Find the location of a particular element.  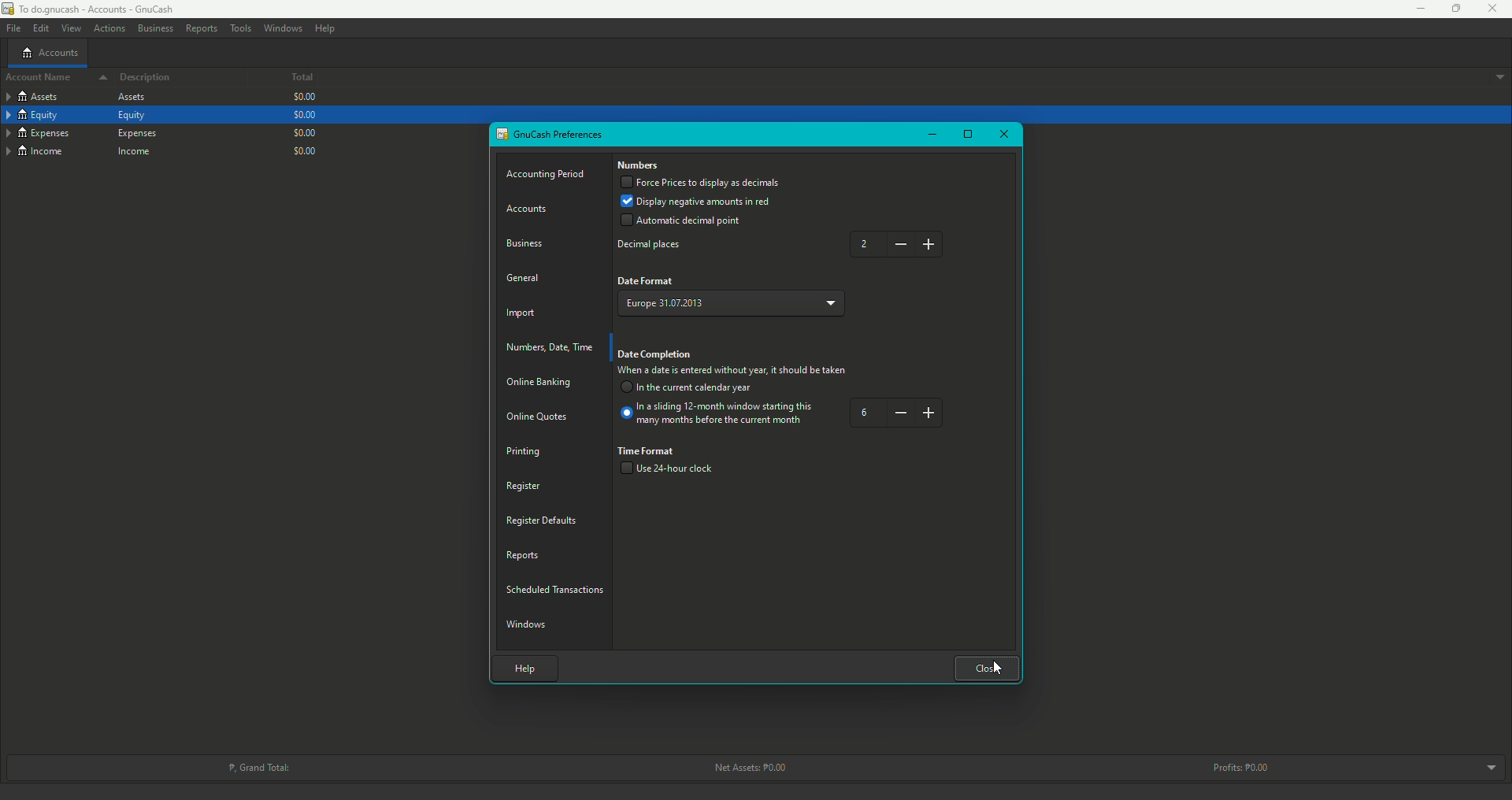

Use 24-hour clock is located at coordinates (673, 470).